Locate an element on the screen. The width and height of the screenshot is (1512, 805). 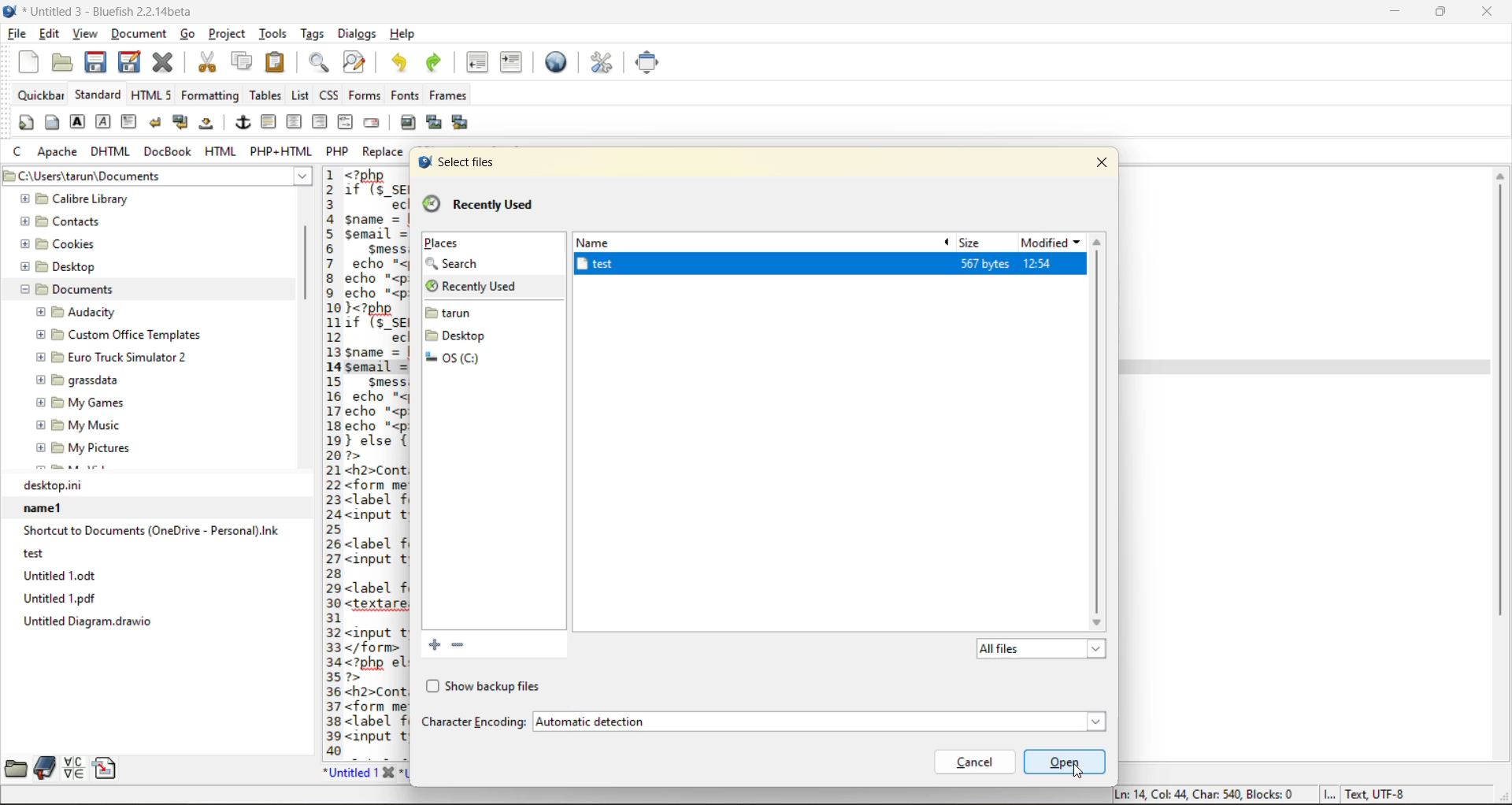
select files is located at coordinates (454, 161).